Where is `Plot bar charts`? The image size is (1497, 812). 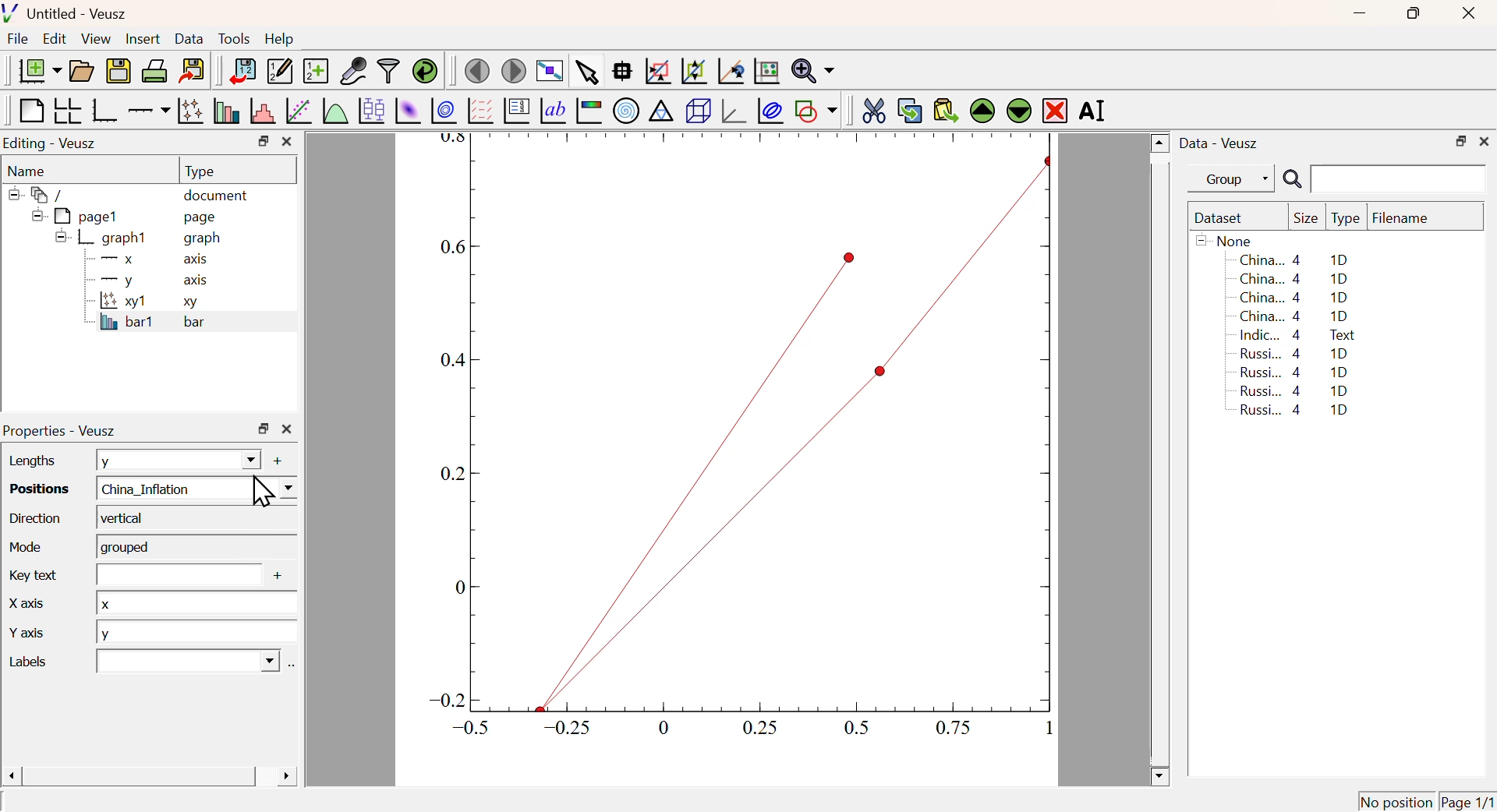
Plot bar charts is located at coordinates (226, 111).